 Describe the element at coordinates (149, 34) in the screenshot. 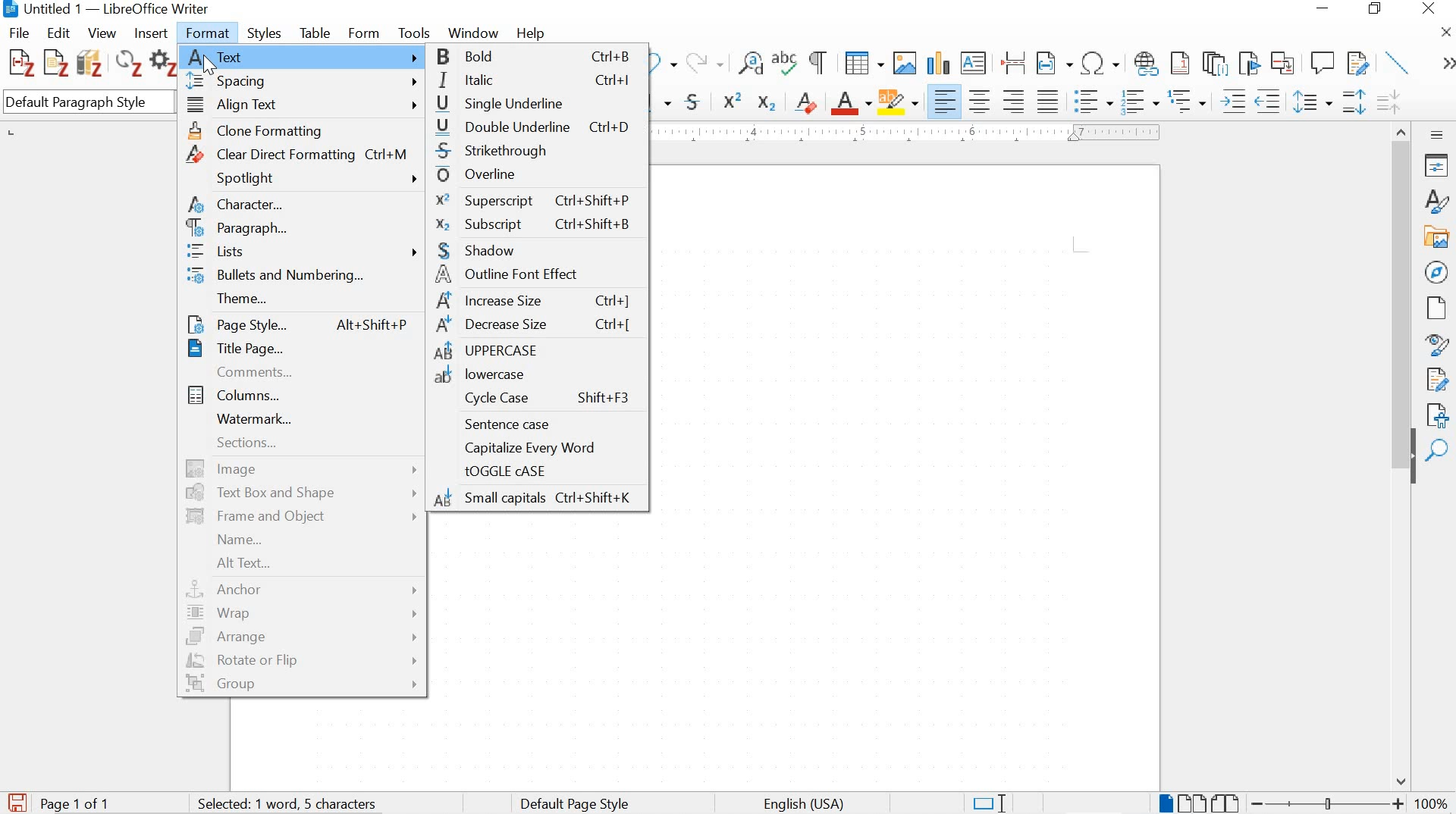

I see `insert` at that location.